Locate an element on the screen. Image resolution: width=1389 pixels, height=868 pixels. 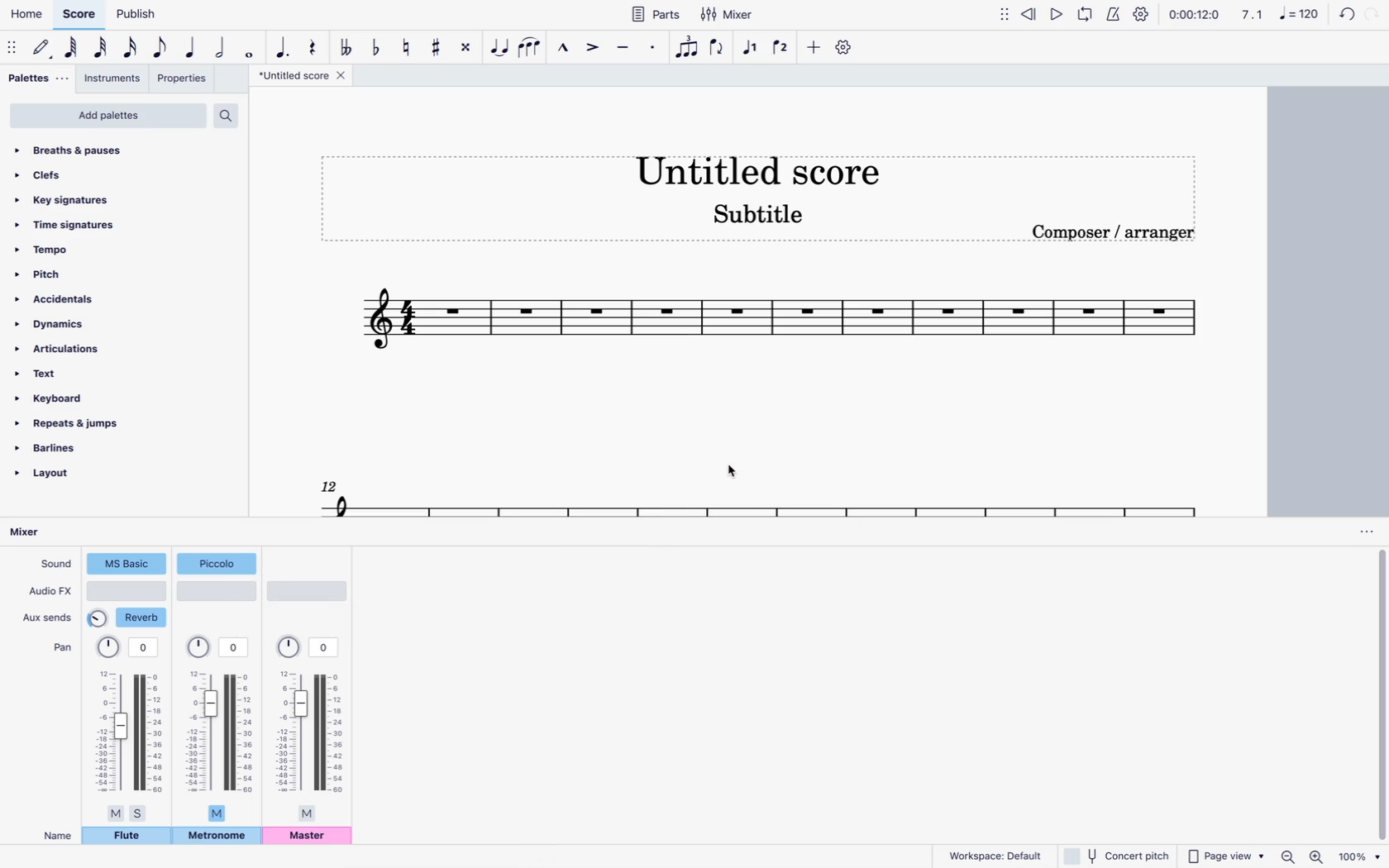
parts is located at coordinates (657, 14).